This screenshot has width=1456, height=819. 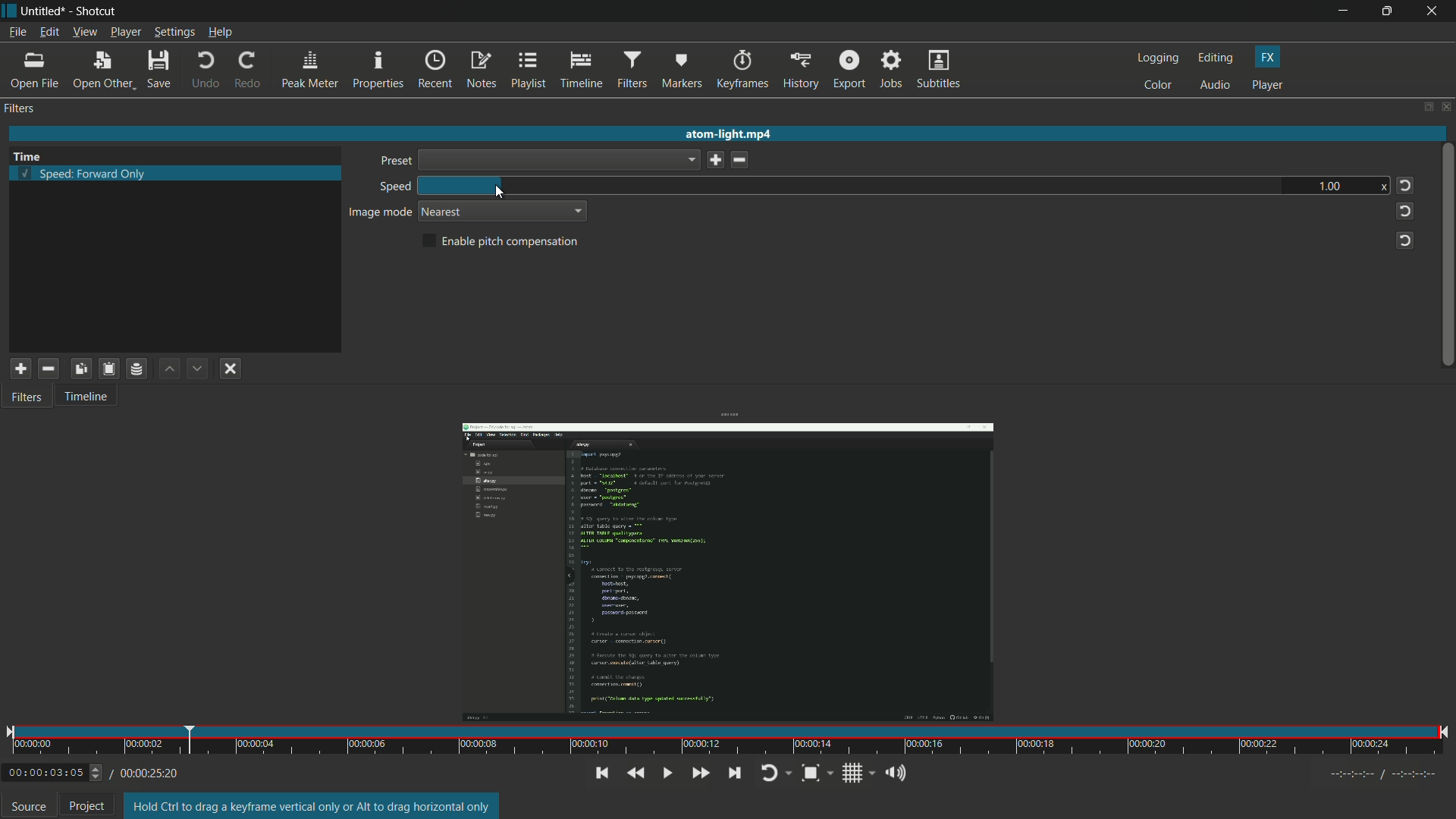 What do you see at coordinates (742, 160) in the screenshot?
I see `delete` at bounding box center [742, 160].